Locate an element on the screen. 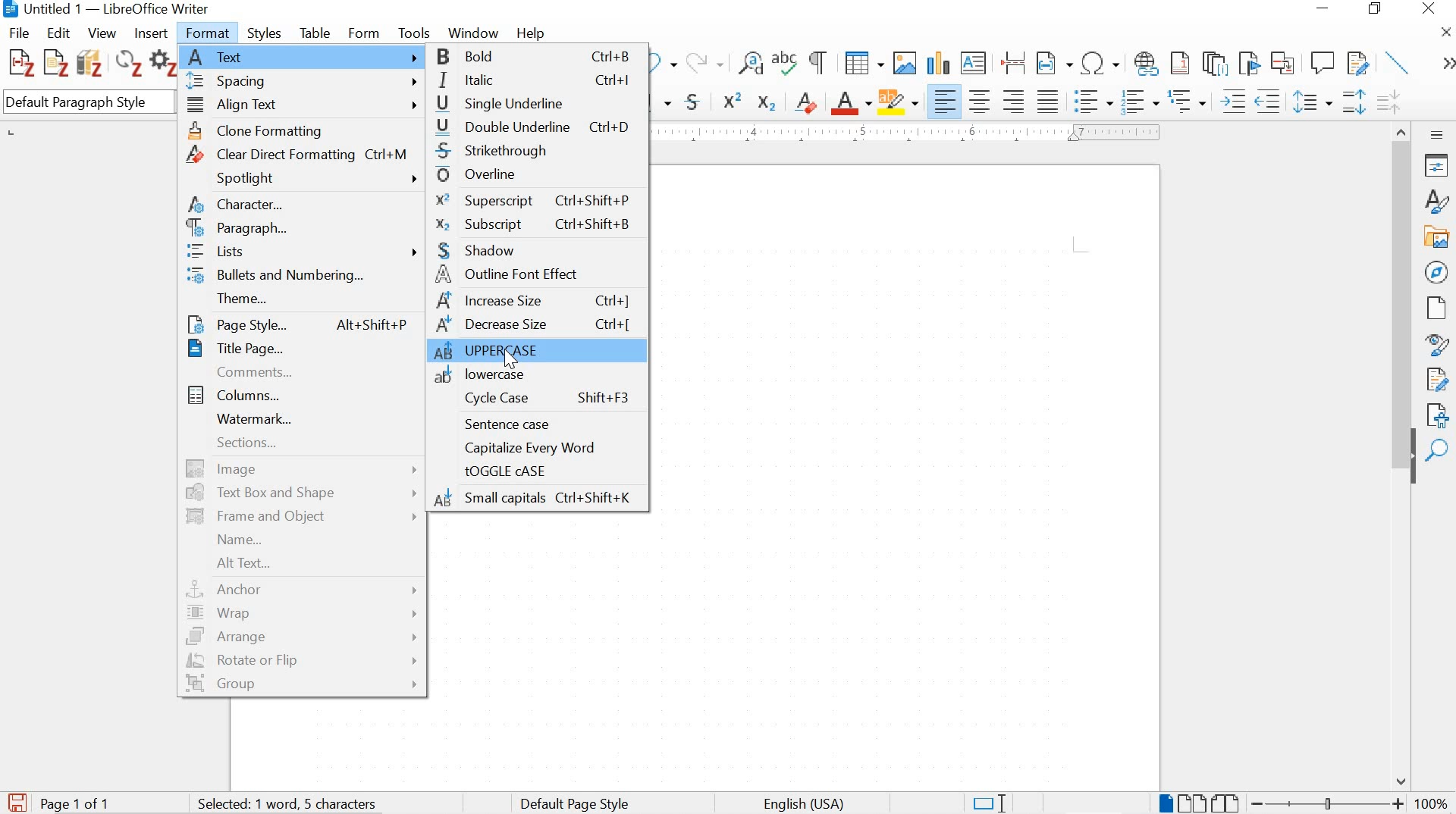 This screenshot has height=814, width=1456. alt text is located at coordinates (296, 562).